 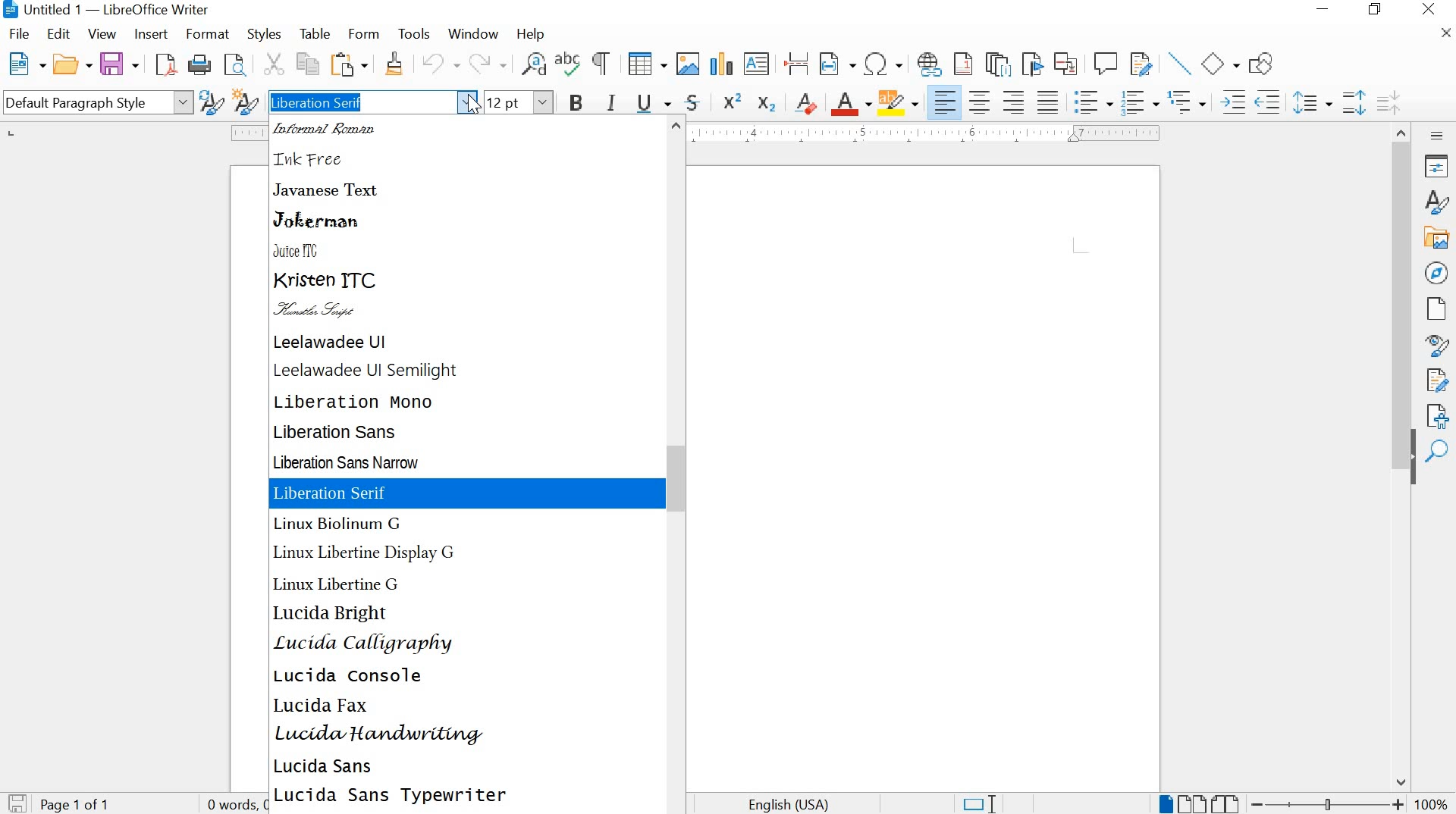 I want to click on SAVE, so click(x=15, y=803).